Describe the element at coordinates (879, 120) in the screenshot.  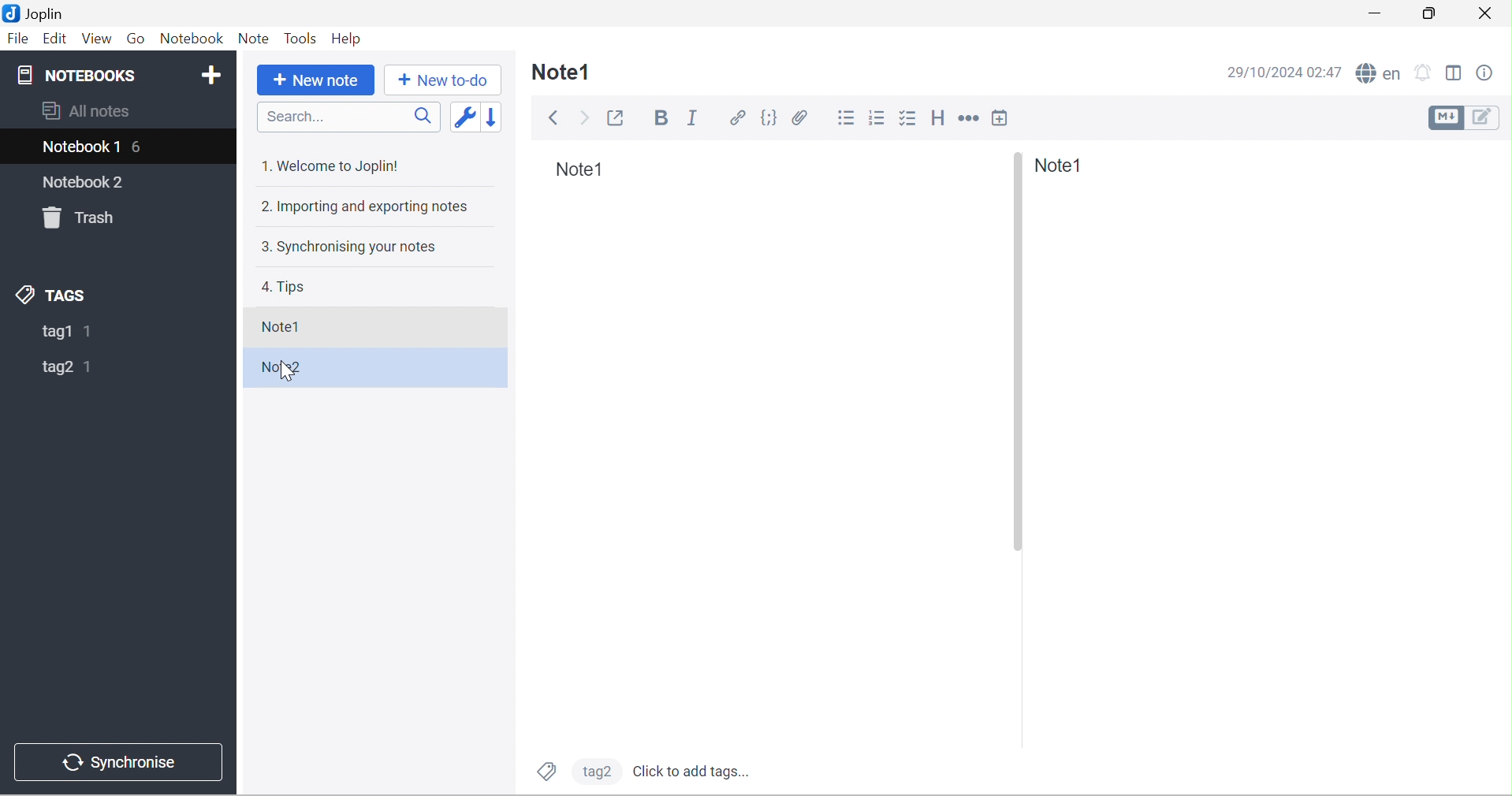
I see `Numbered list` at that location.